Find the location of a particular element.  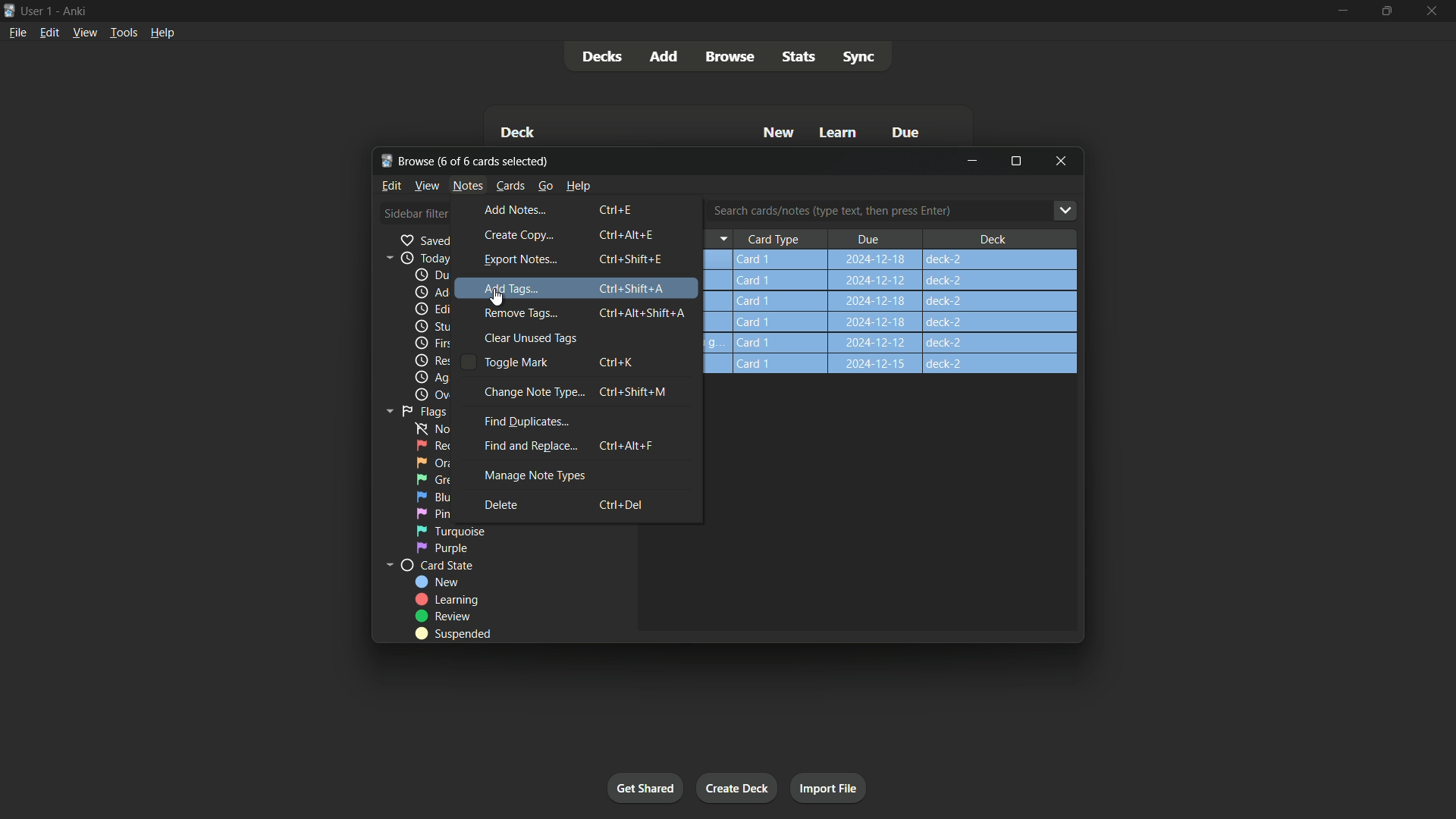

add notes... is located at coordinates (527, 209).